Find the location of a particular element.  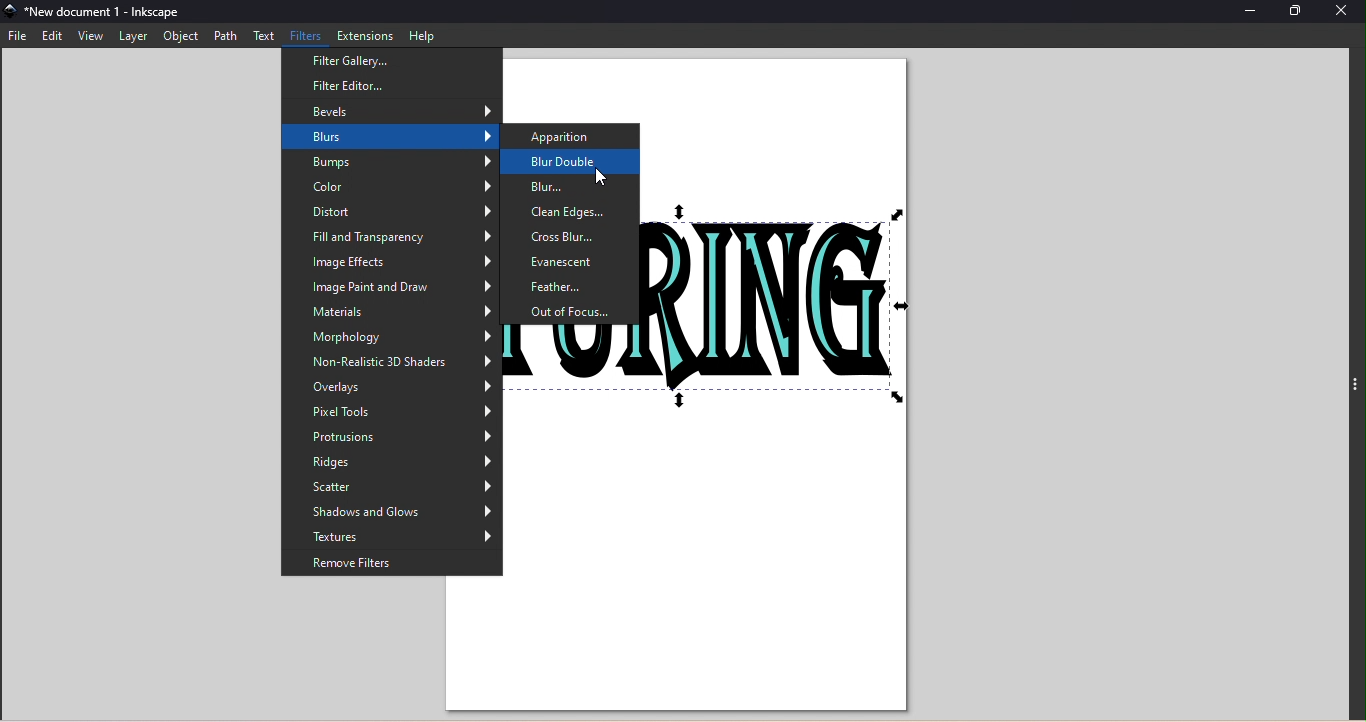

Ridges is located at coordinates (391, 461).